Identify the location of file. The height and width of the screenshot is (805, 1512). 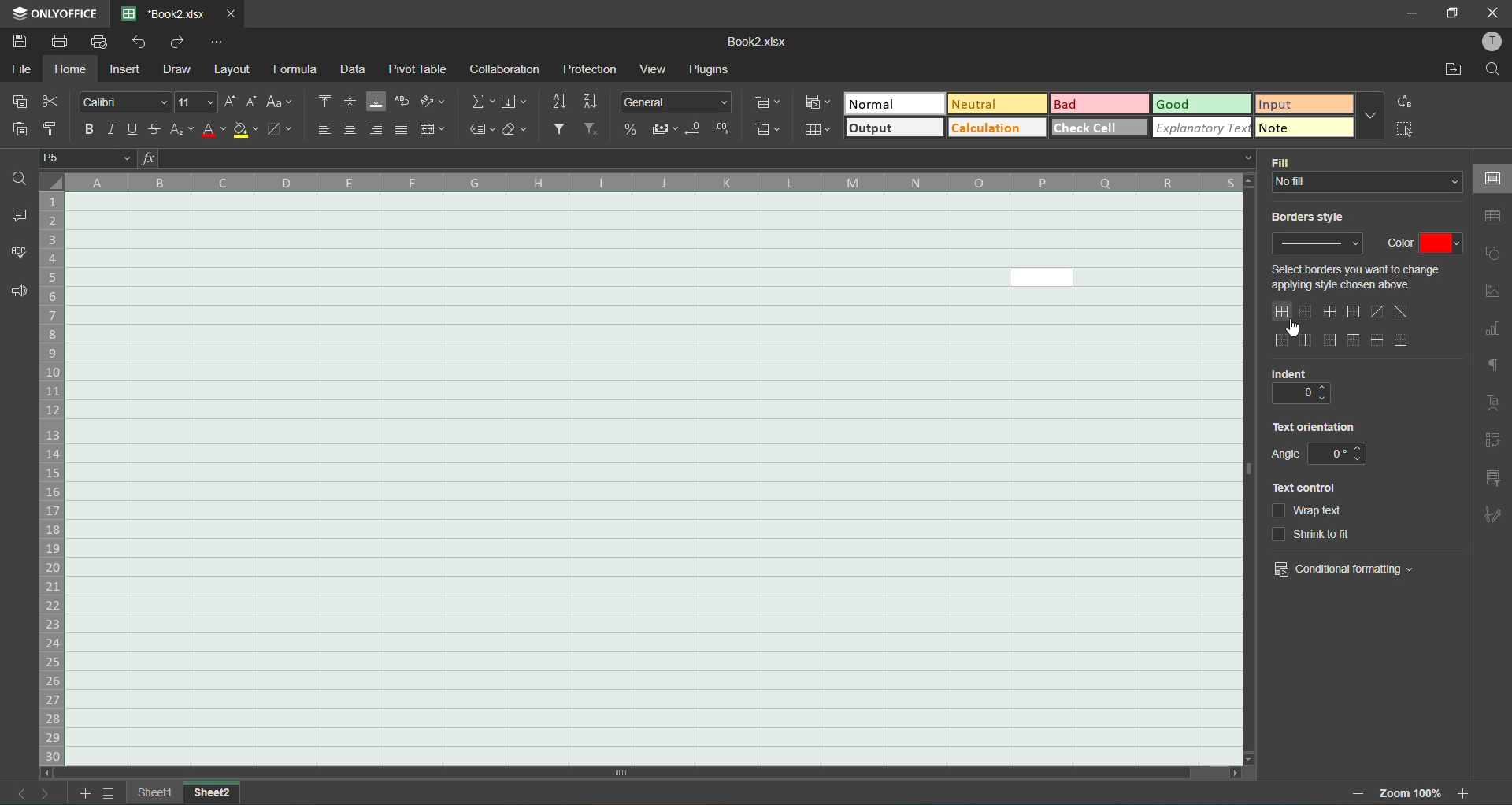
(19, 71).